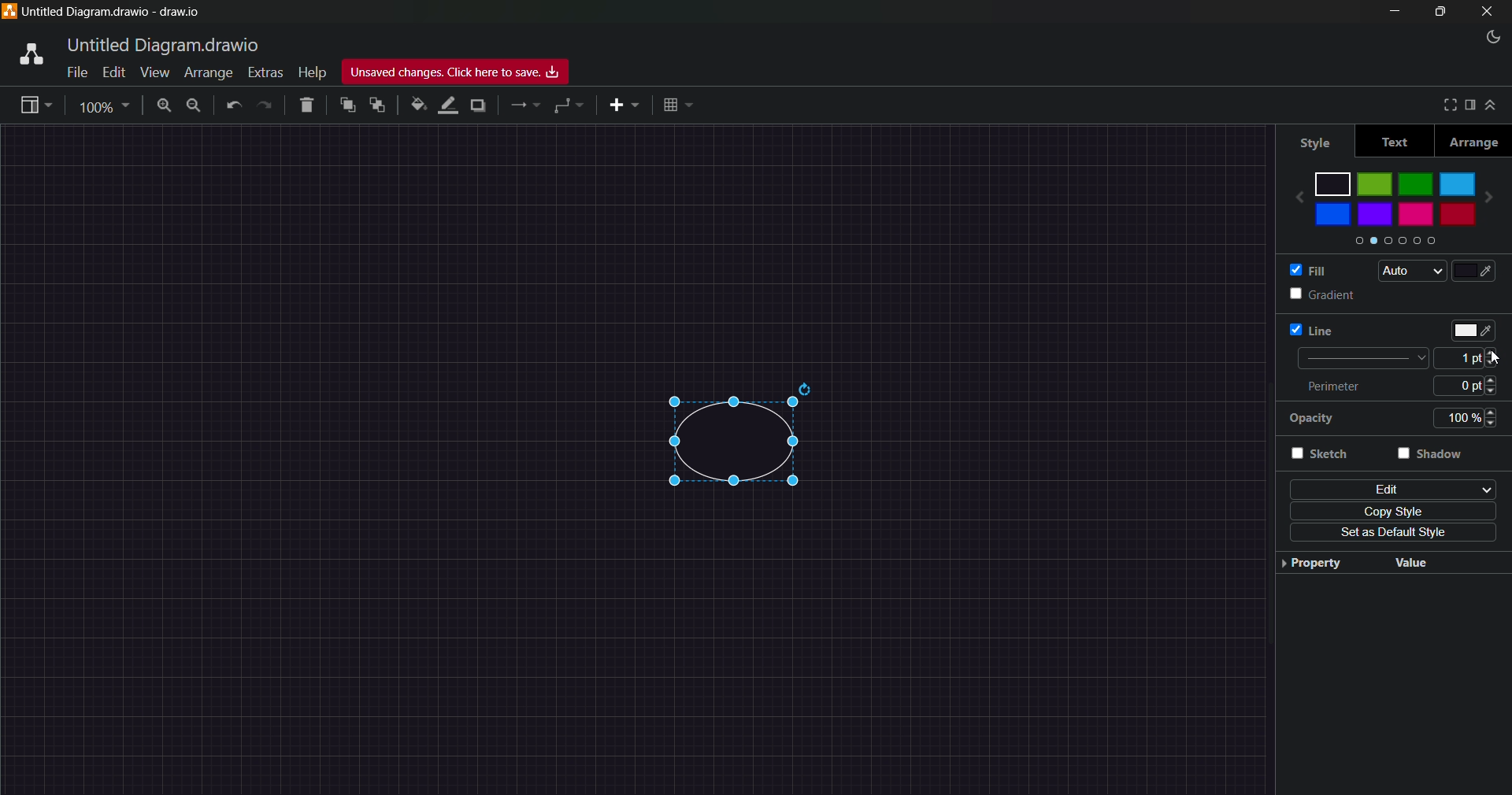 The image size is (1512, 795). I want to click on minimize, so click(1393, 11).